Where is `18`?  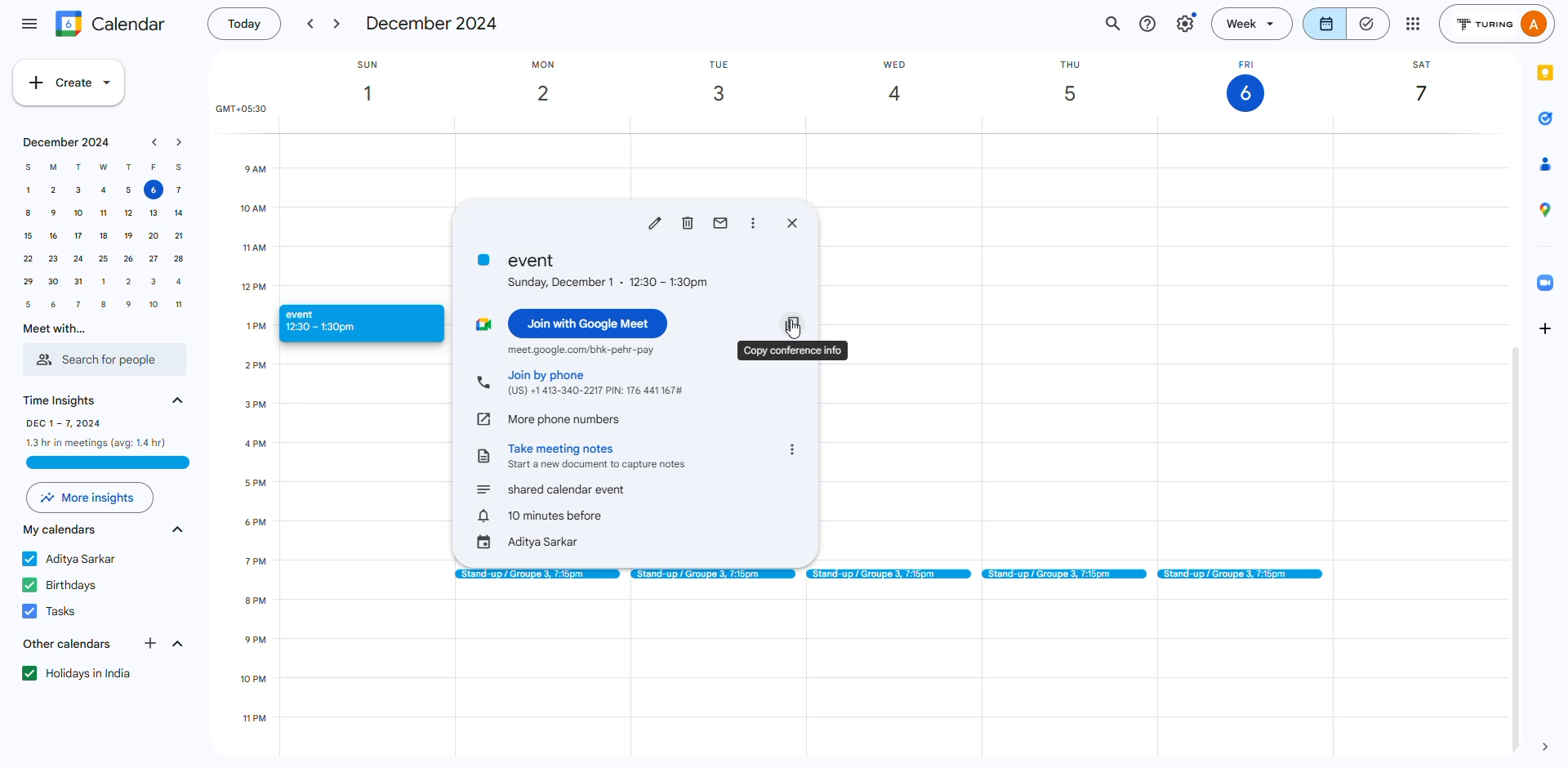
18 is located at coordinates (102, 238).